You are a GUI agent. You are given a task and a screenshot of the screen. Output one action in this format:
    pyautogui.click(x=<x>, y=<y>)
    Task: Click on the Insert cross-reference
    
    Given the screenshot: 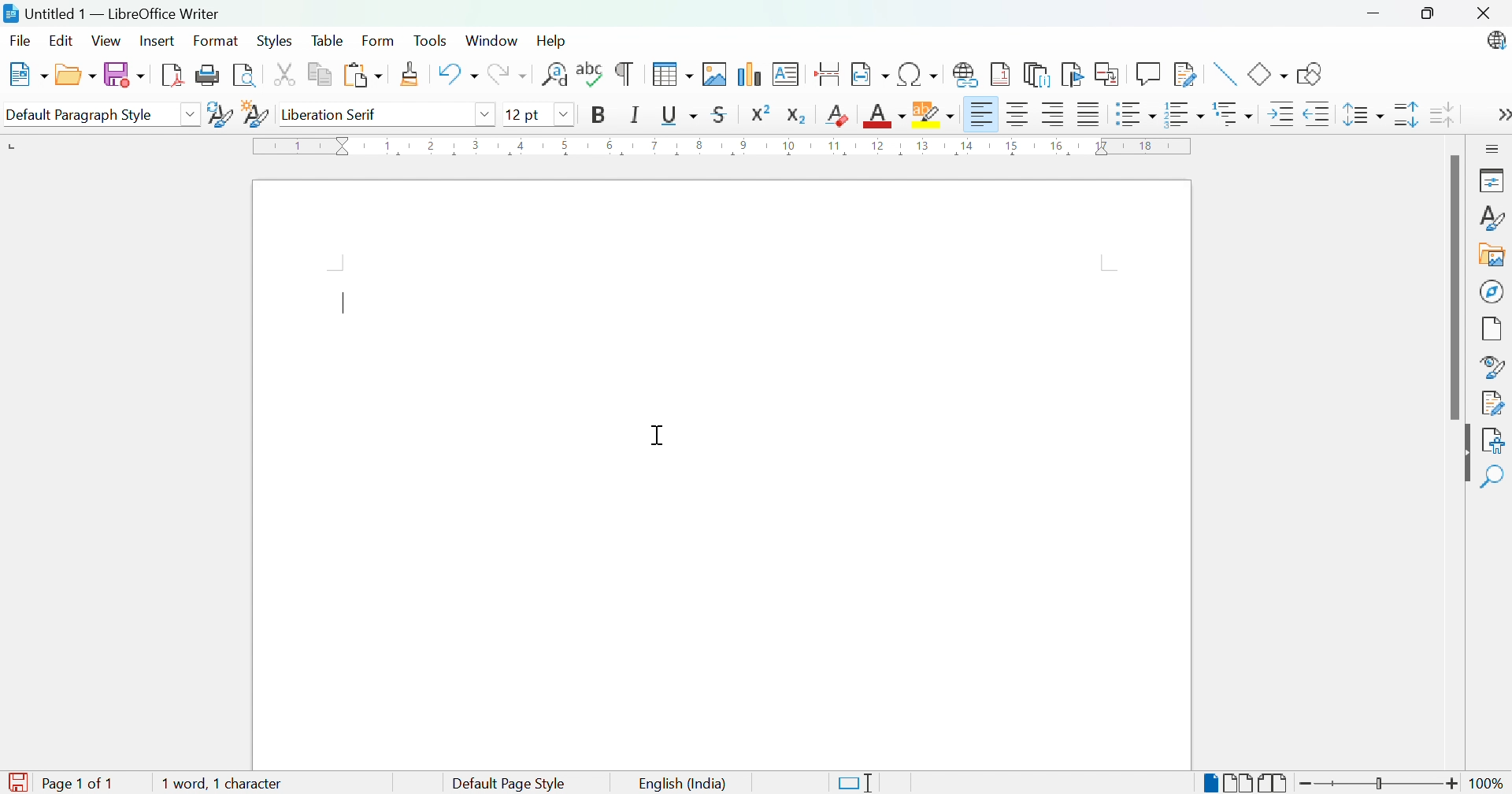 What is the action you would take?
    pyautogui.click(x=1106, y=74)
    